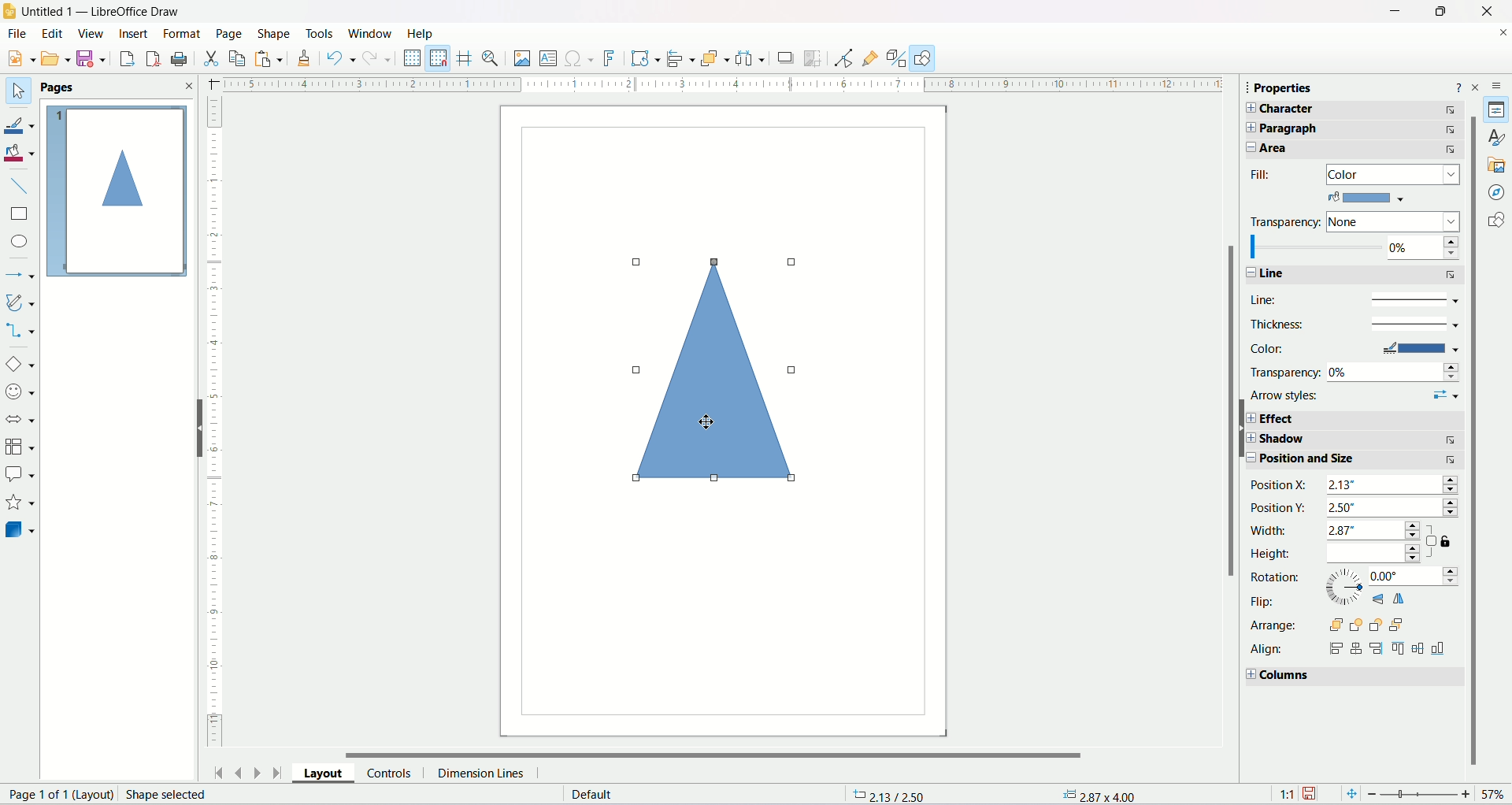 The image size is (1512, 805). Describe the element at coordinates (117, 191) in the screenshot. I see `Page outline` at that location.